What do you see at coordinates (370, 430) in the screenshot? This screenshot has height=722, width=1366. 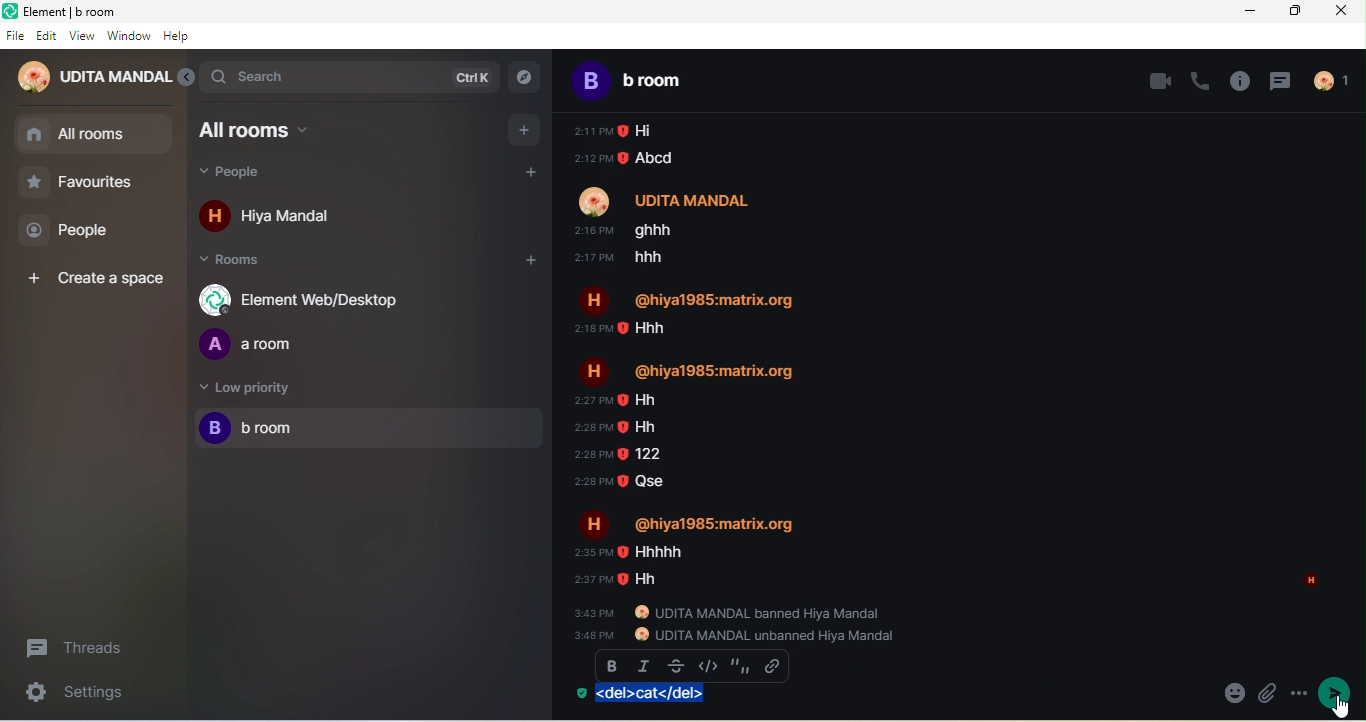 I see `b room` at bounding box center [370, 430].